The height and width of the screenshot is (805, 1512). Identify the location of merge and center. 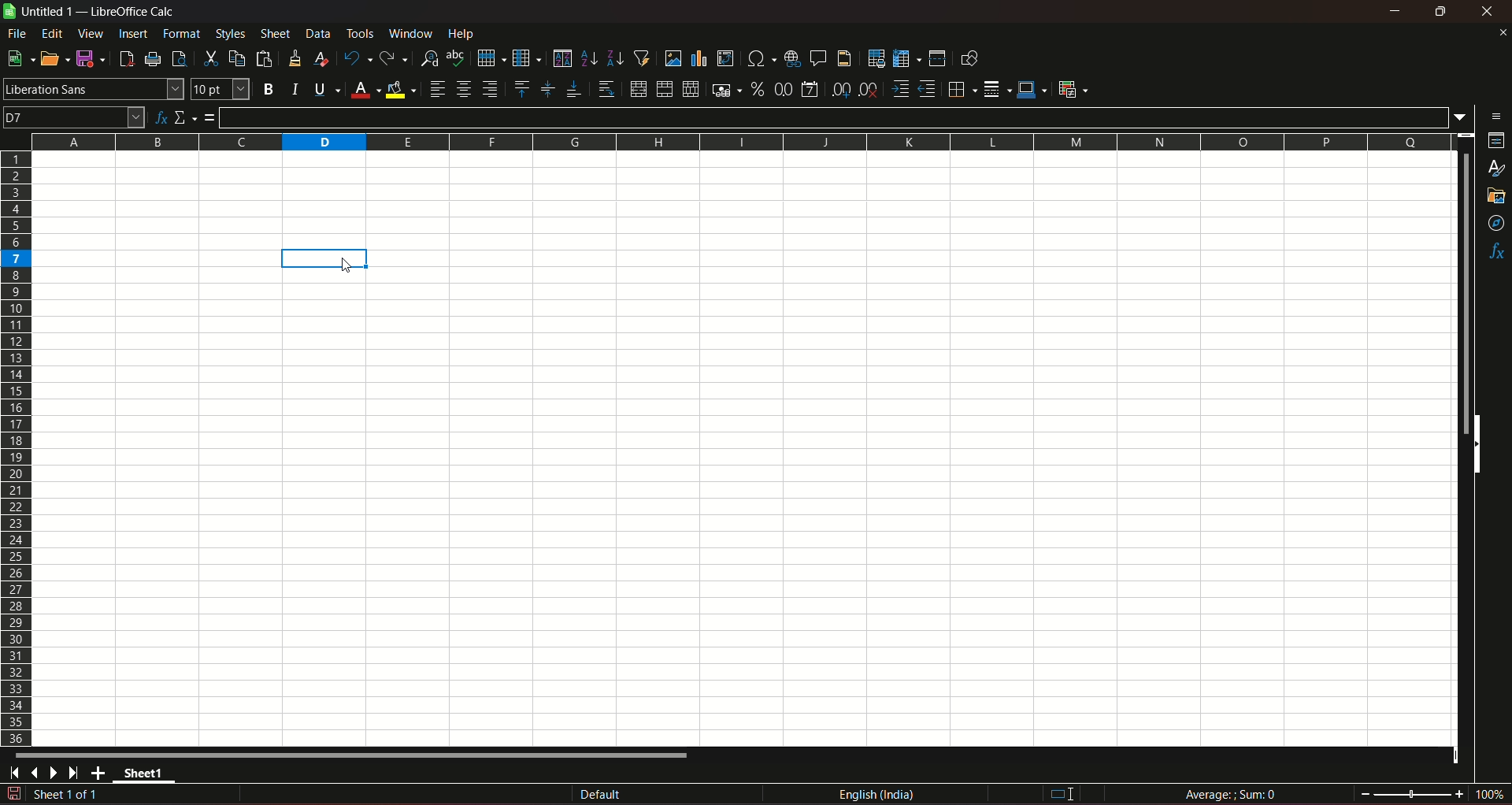
(637, 89).